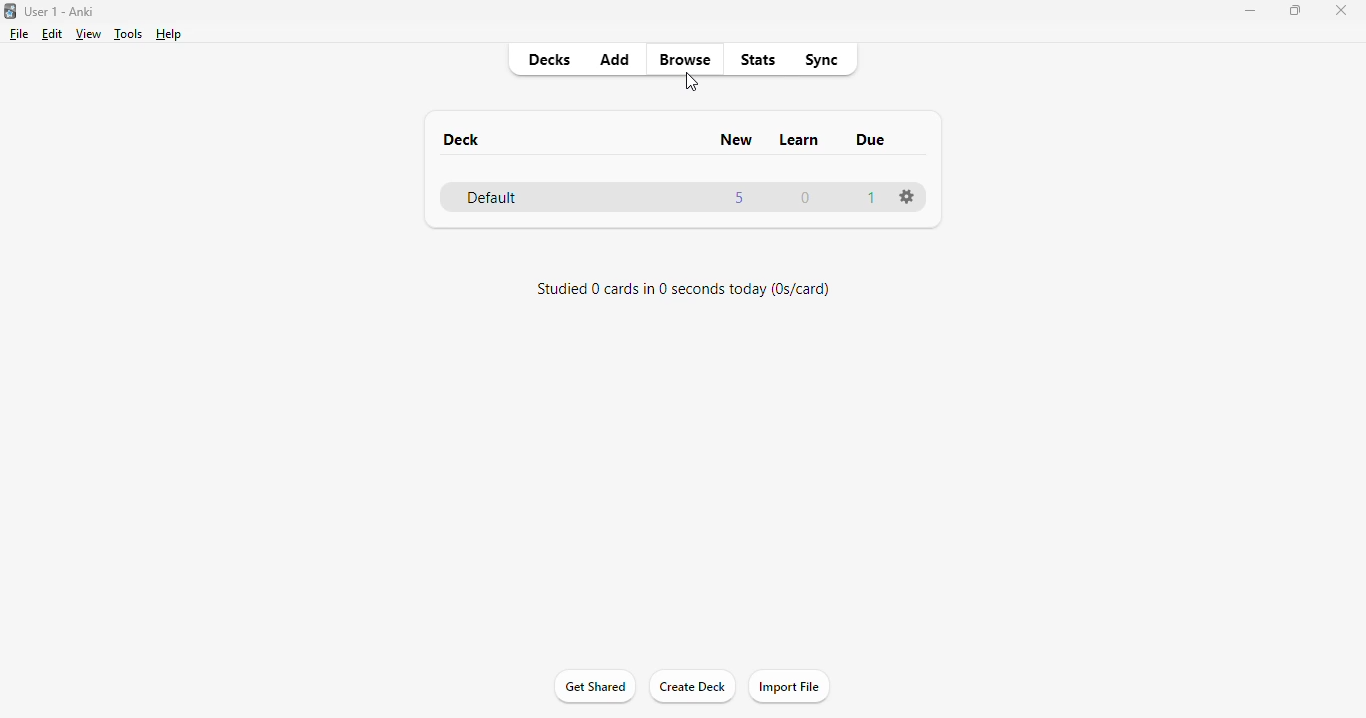  I want to click on 1, so click(873, 197).